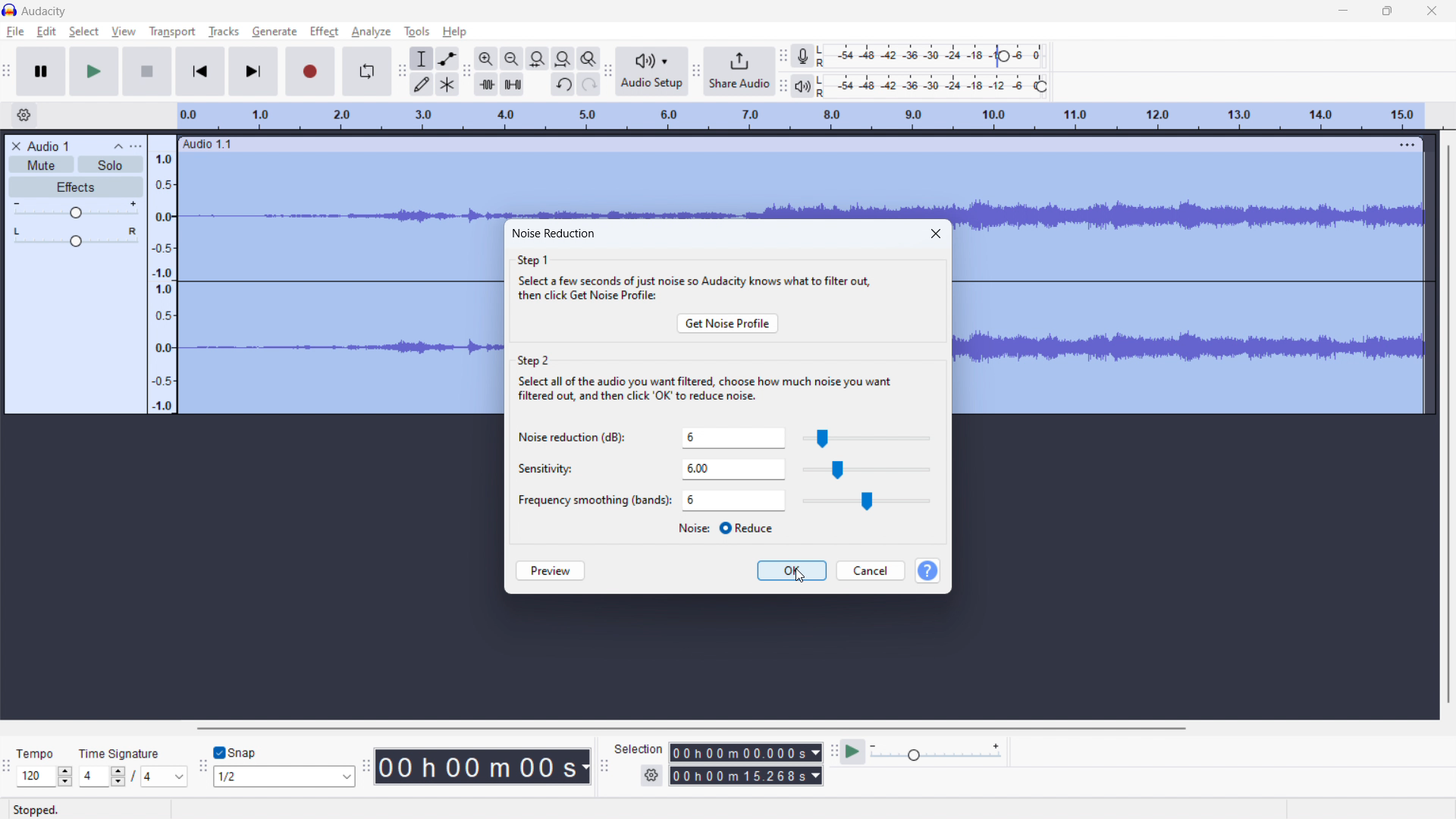 The image size is (1456, 819). Describe the element at coordinates (604, 763) in the screenshot. I see `selection toolbar` at that location.